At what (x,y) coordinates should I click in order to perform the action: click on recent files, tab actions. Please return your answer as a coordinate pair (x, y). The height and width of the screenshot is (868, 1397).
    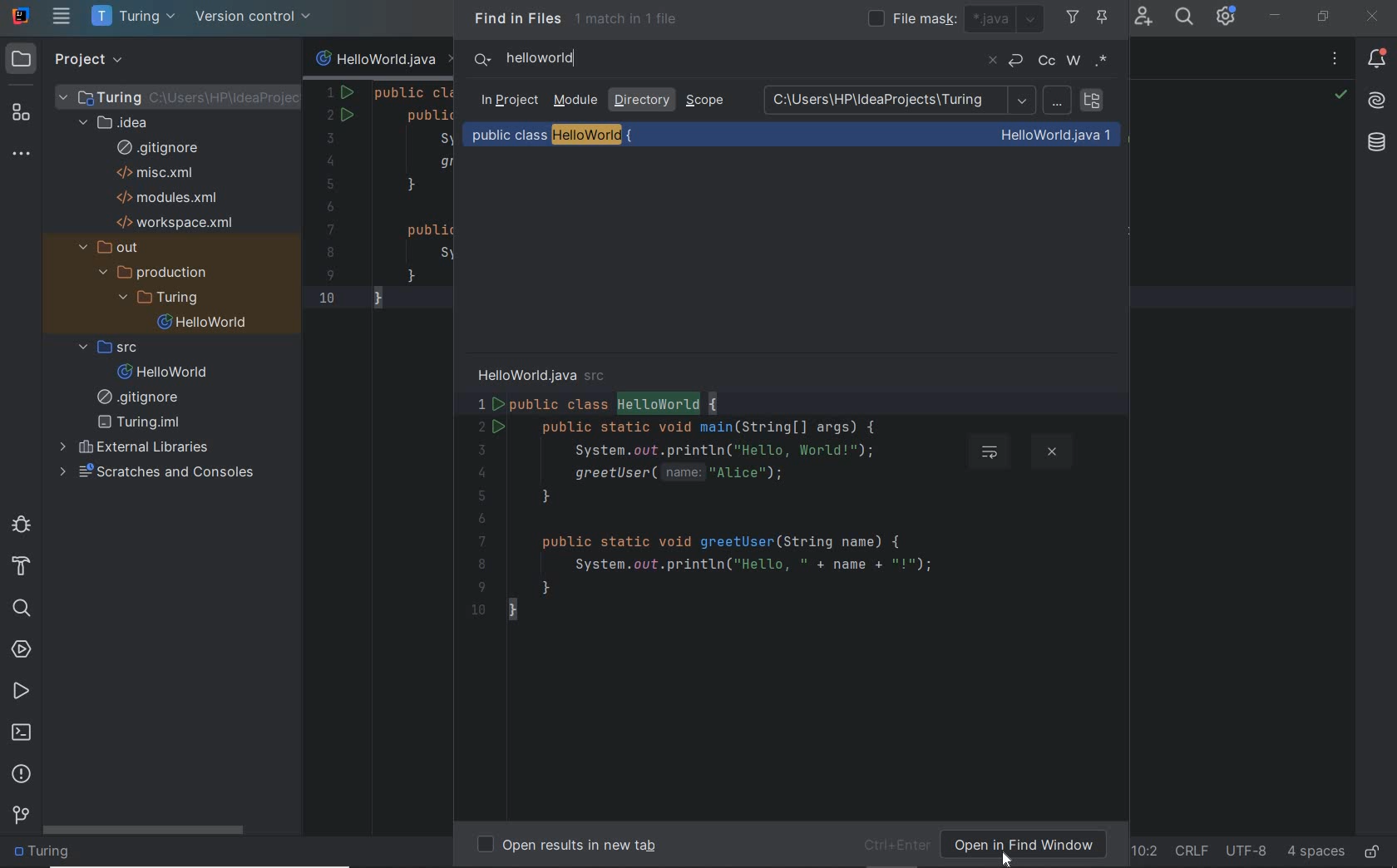
    Looking at the image, I should click on (1335, 60).